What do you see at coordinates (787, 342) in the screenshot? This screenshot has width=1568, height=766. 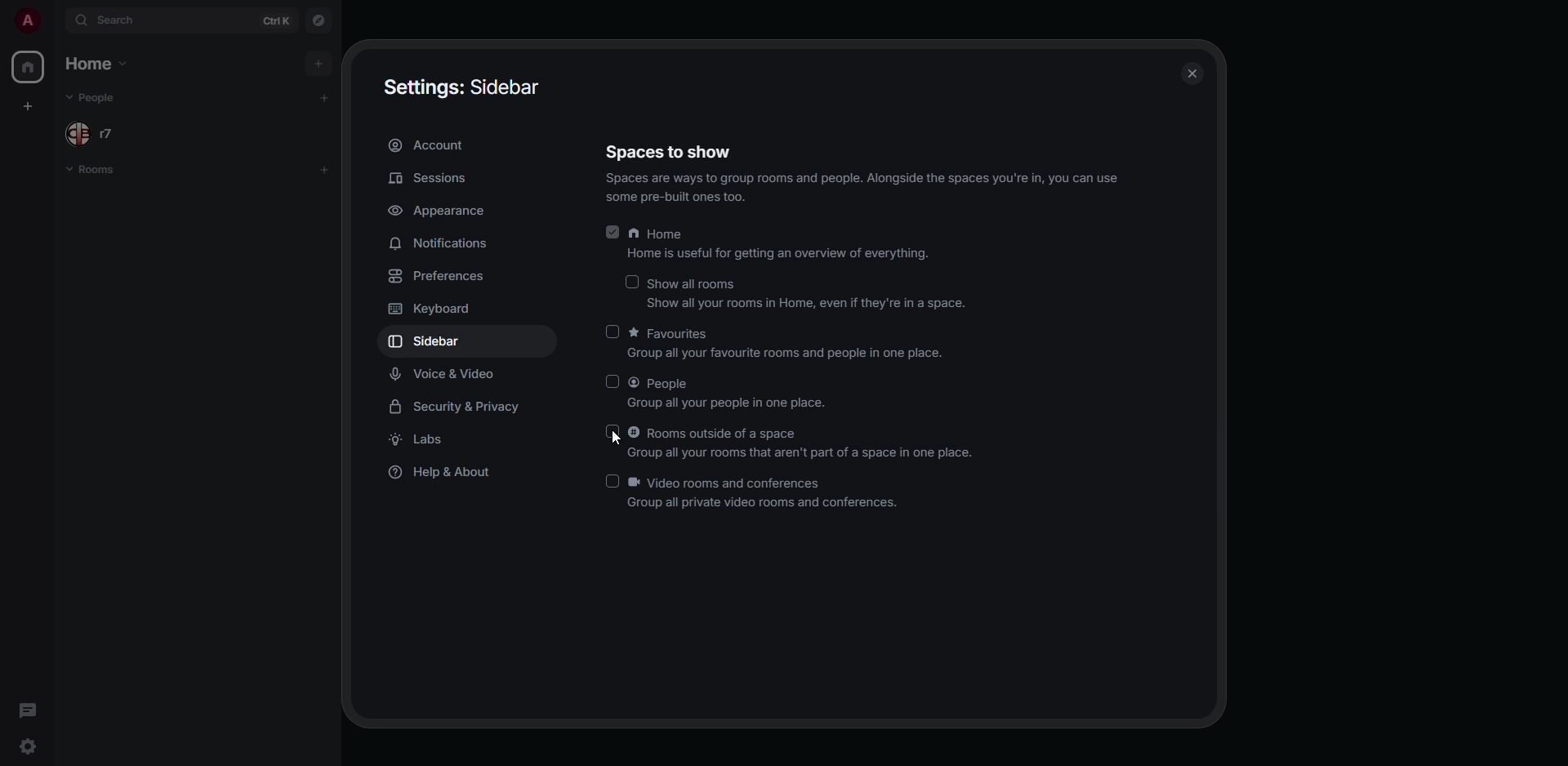 I see ` Favourites Group all your favourite rooms and people in one place.` at bounding box center [787, 342].